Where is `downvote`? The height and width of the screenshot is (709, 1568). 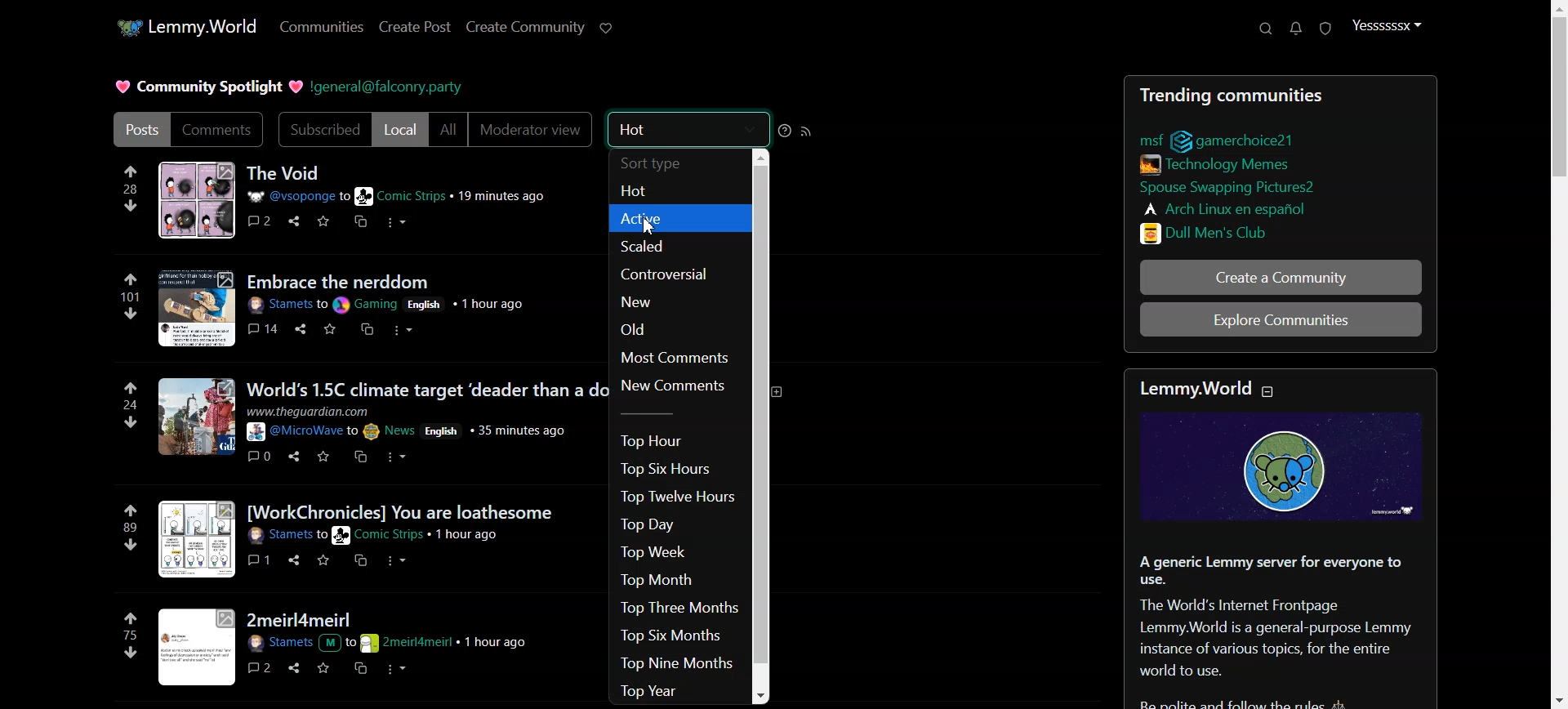 downvote is located at coordinates (131, 653).